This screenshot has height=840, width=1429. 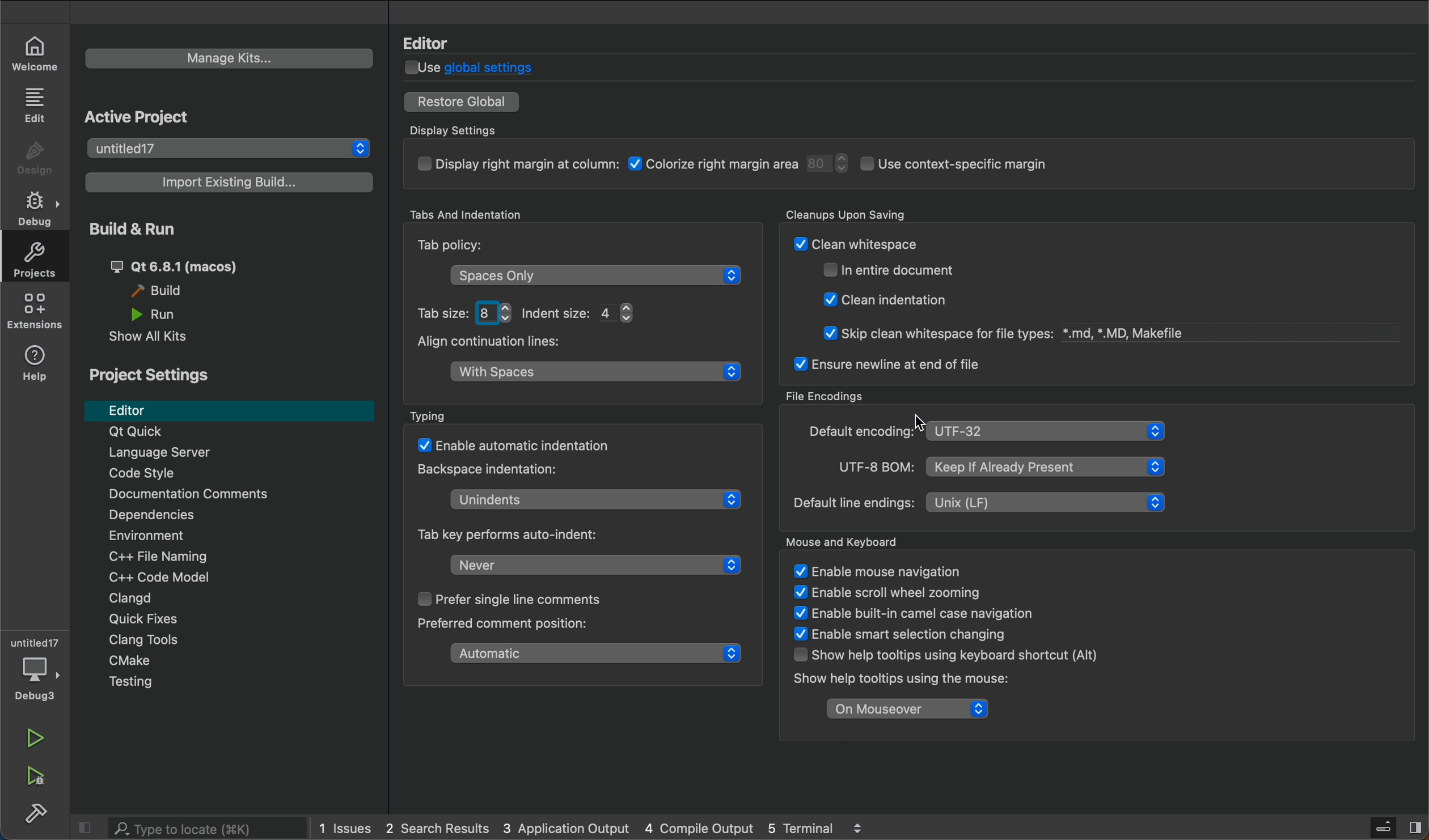 I want to click on single line, so click(x=526, y=600).